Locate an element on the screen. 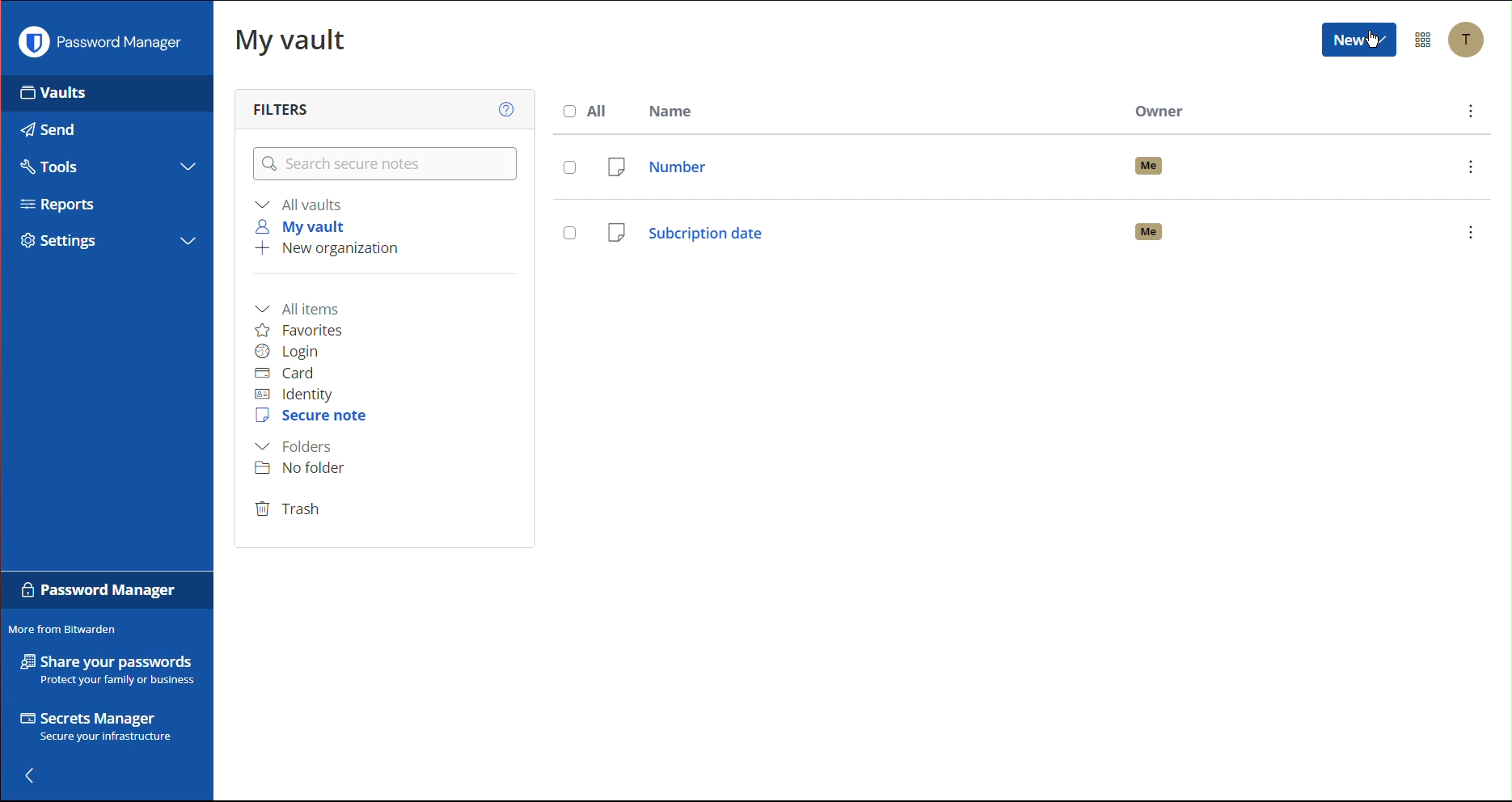  Folders is located at coordinates (298, 446).